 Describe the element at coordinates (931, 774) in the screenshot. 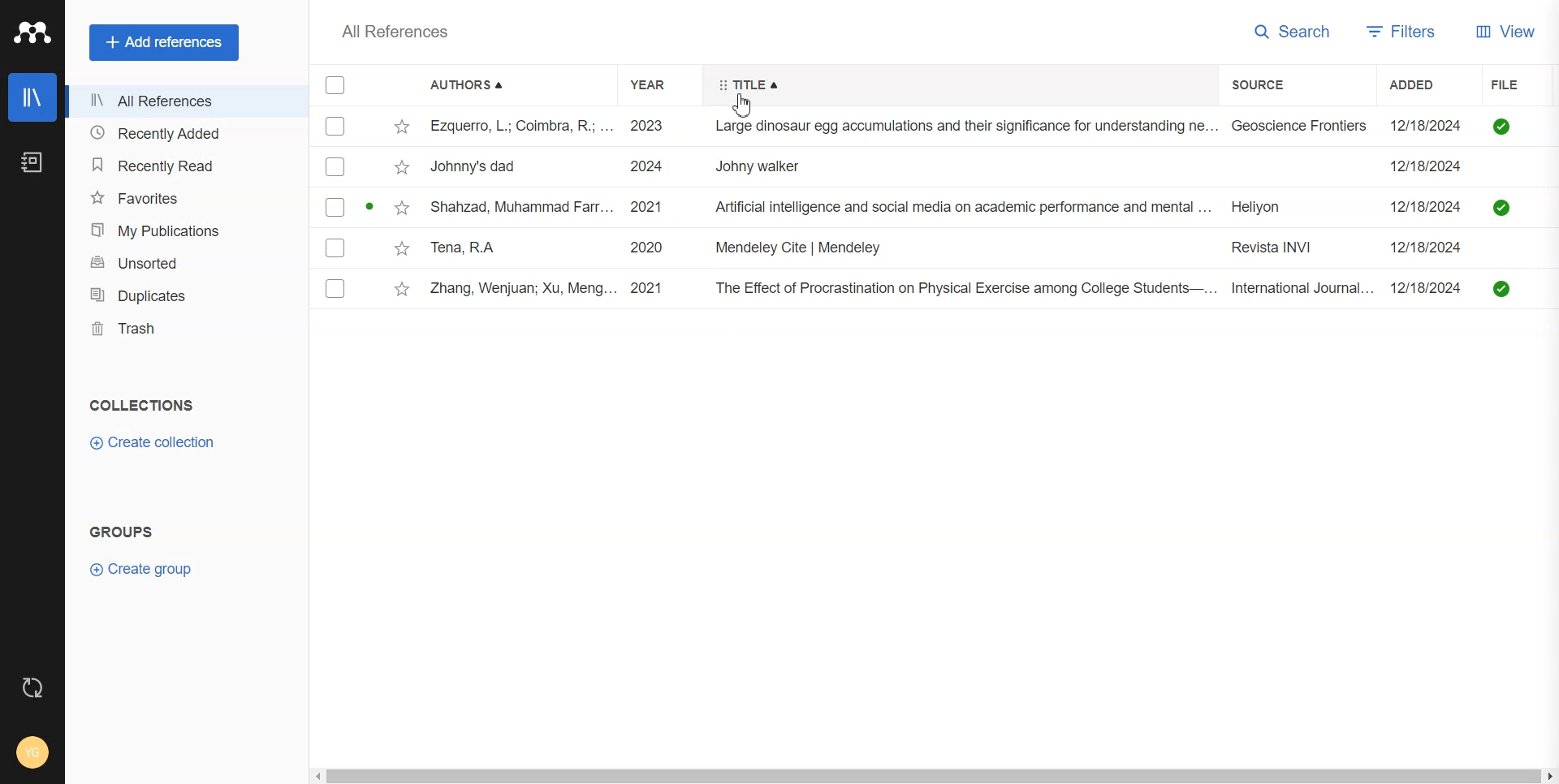

I see `Horizontal scroll bar` at that location.